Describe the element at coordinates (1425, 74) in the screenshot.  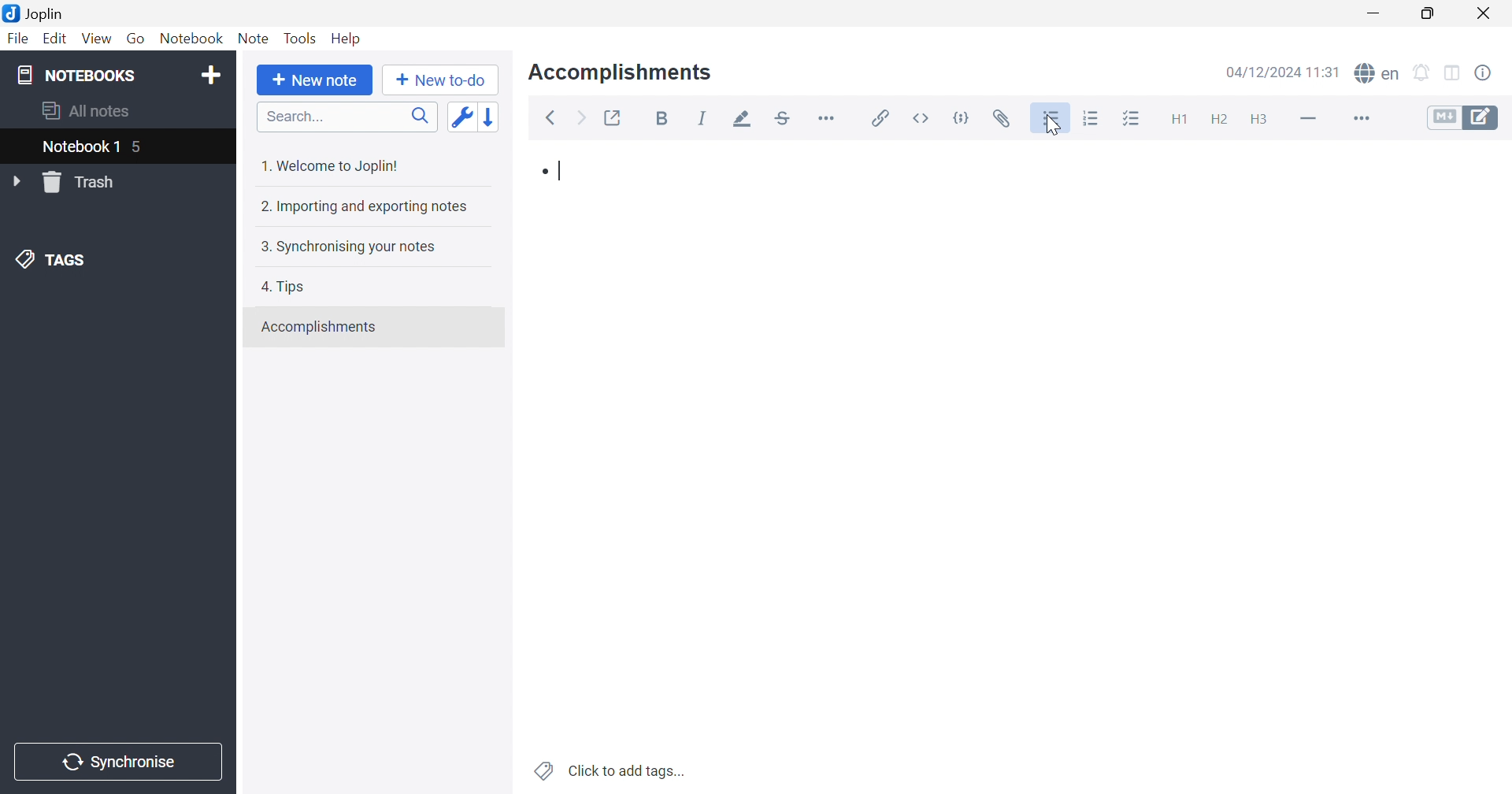
I see `Set alarm` at that location.